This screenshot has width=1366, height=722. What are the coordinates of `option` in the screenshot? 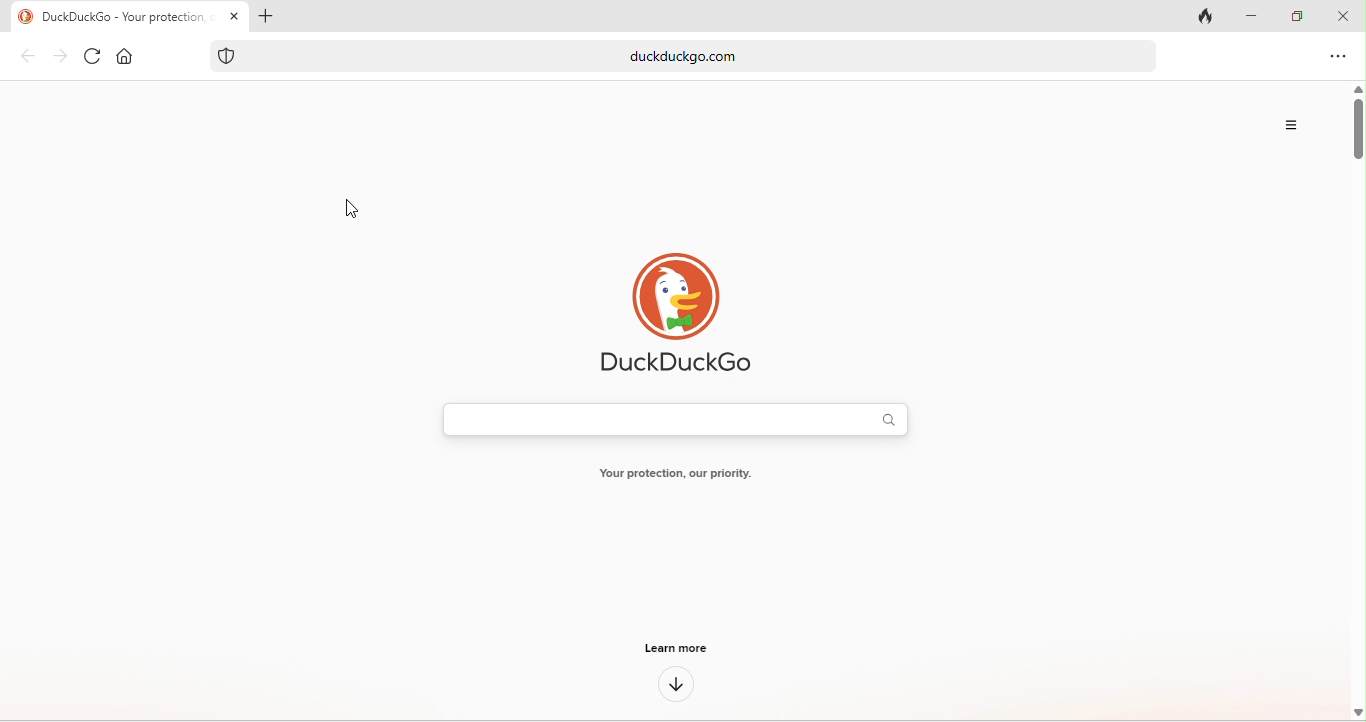 It's located at (1285, 122).